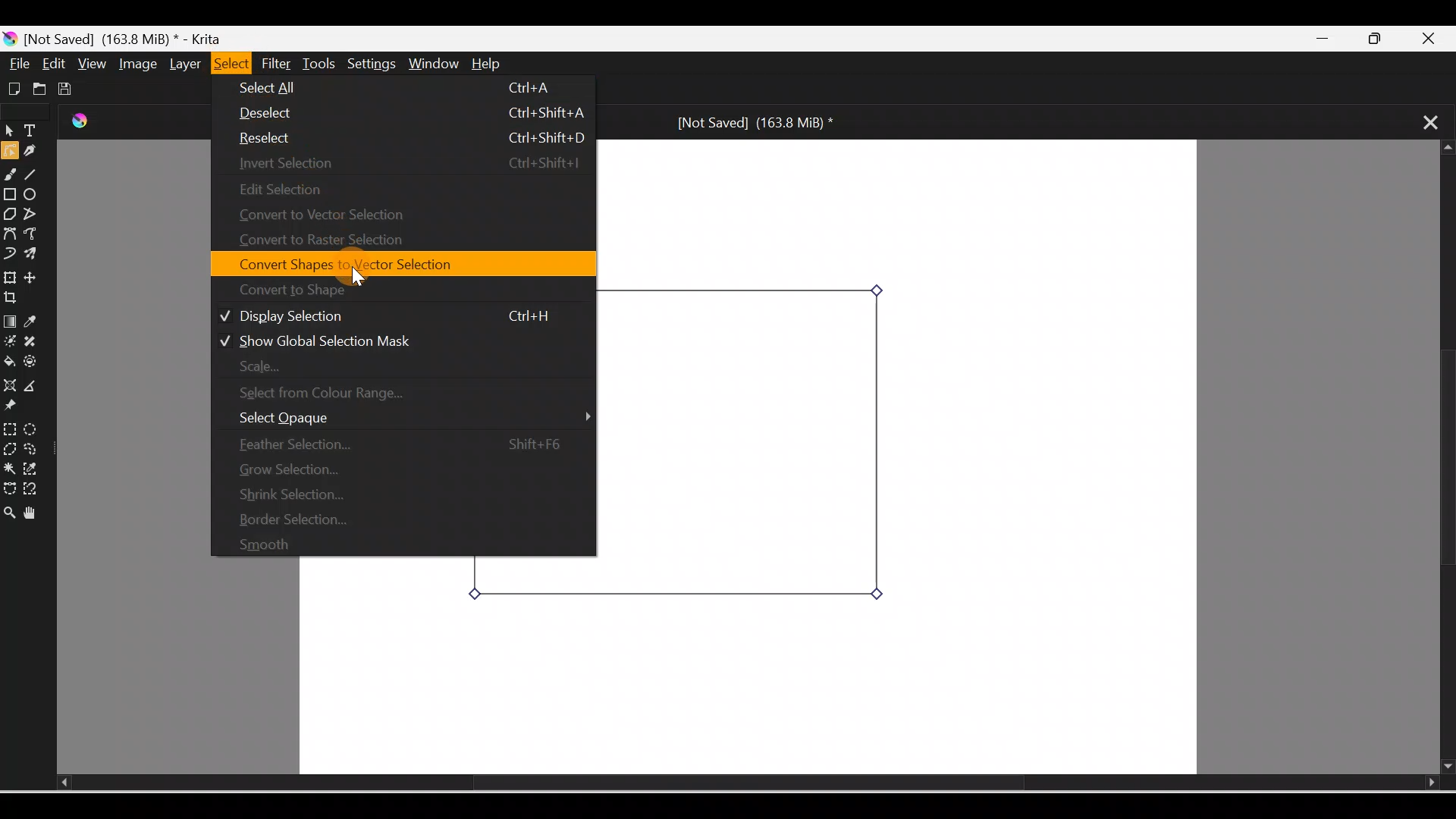 The height and width of the screenshot is (819, 1456). Describe the element at coordinates (323, 242) in the screenshot. I see `Convert to raster selection` at that location.